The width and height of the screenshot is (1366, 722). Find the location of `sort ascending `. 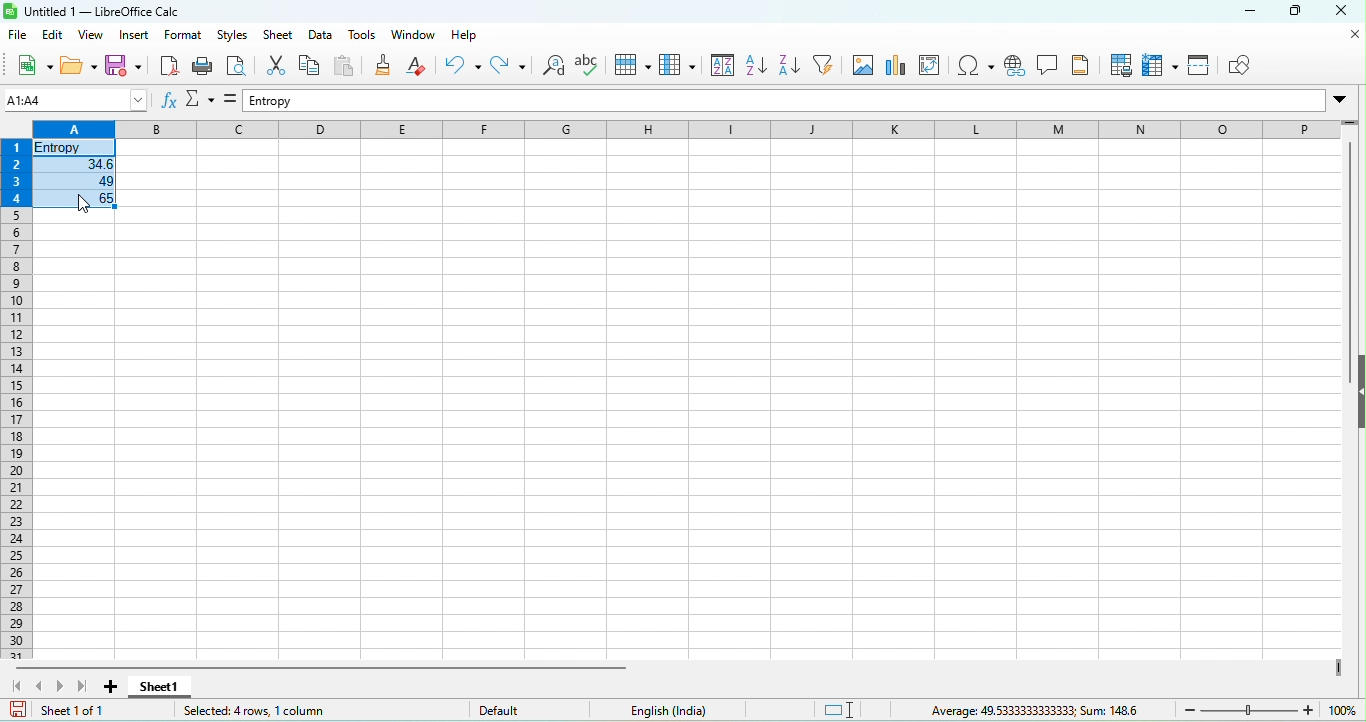

sort ascending  is located at coordinates (758, 68).